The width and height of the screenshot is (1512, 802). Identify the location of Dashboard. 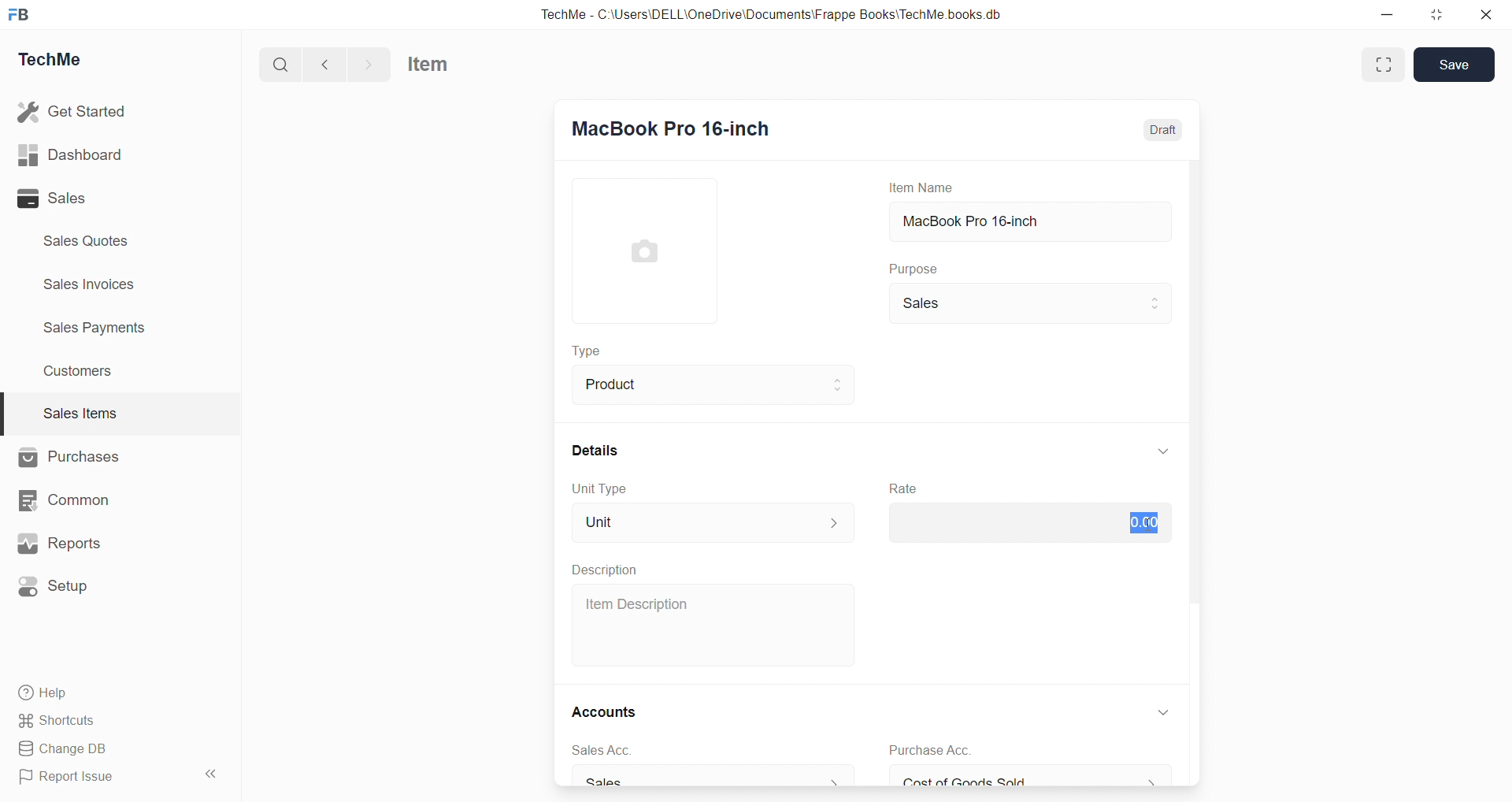
(71, 154).